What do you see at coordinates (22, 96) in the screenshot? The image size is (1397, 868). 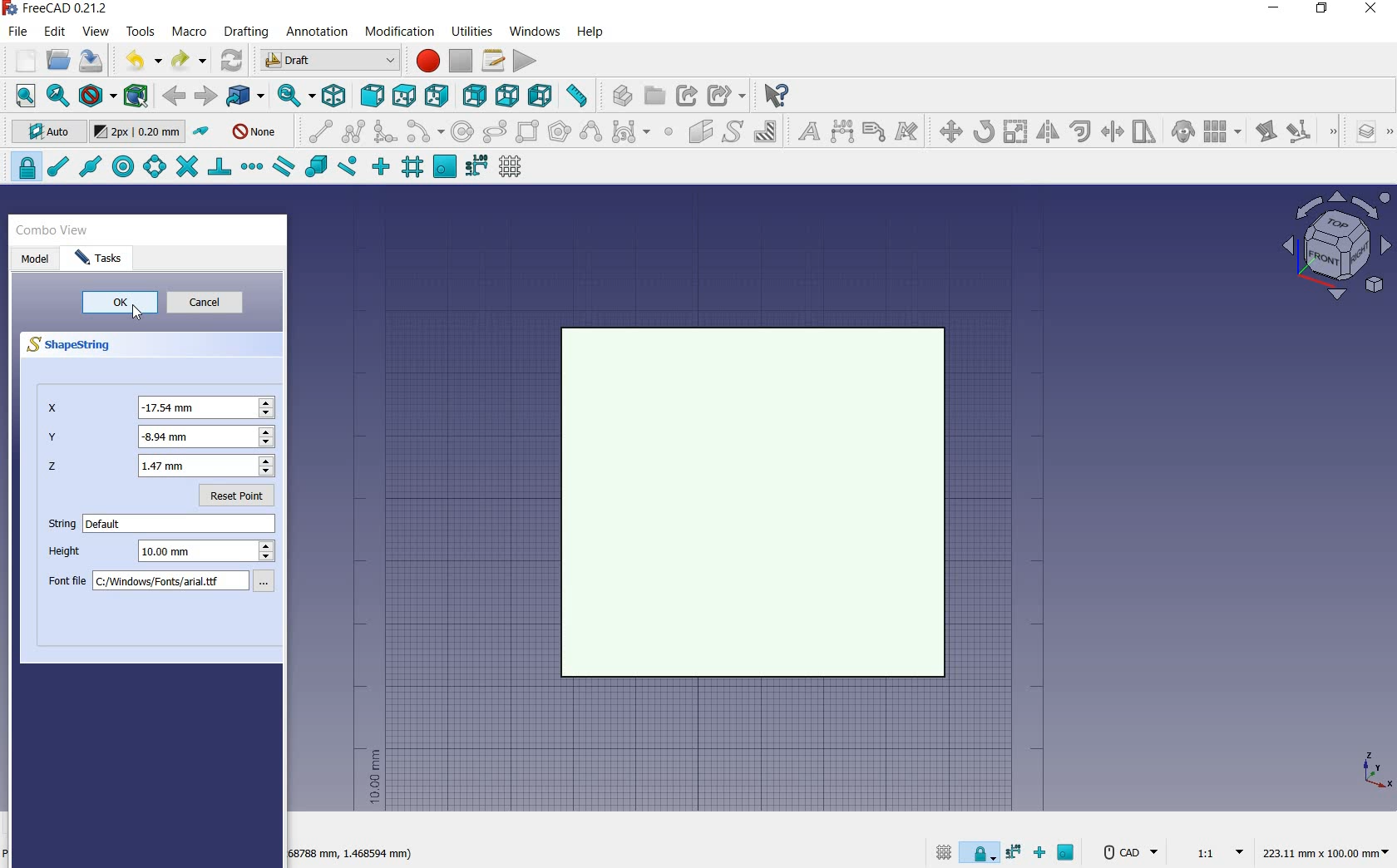 I see `fit all` at bounding box center [22, 96].